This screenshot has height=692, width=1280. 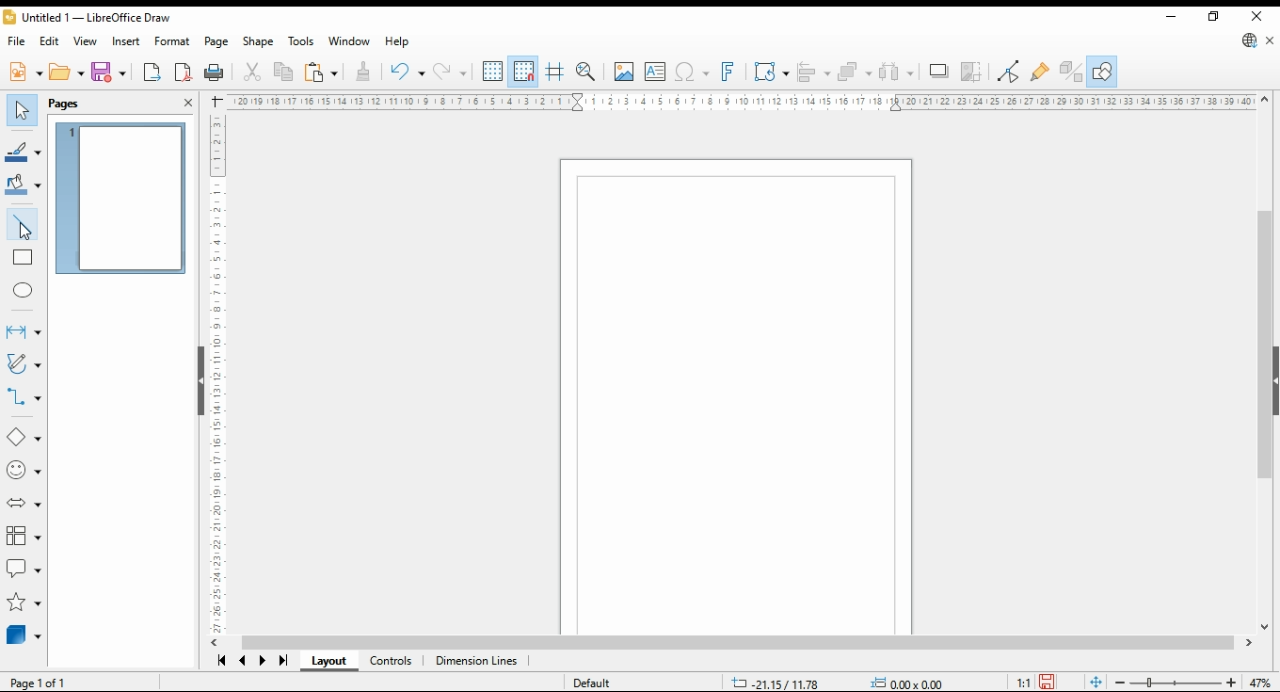 What do you see at coordinates (1270, 41) in the screenshot?
I see `close document` at bounding box center [1270, 41].